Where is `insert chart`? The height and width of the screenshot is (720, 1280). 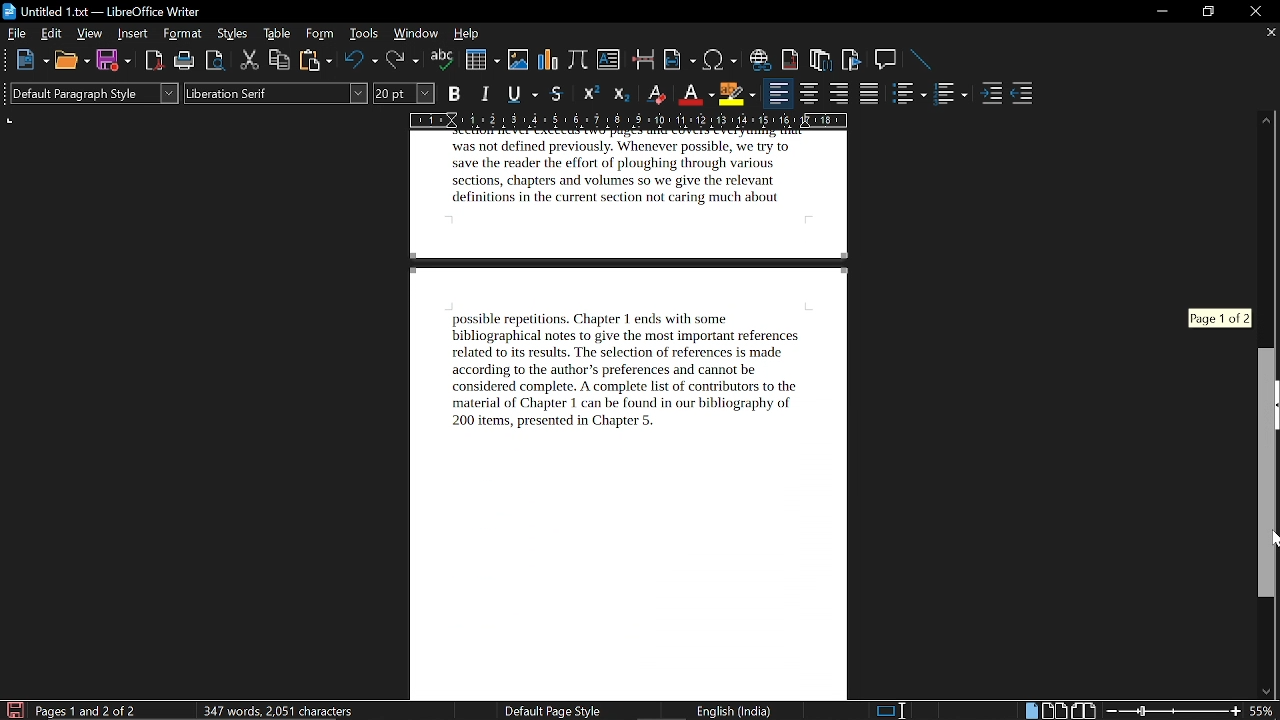
insert chart is located at coordinates (549, 62).